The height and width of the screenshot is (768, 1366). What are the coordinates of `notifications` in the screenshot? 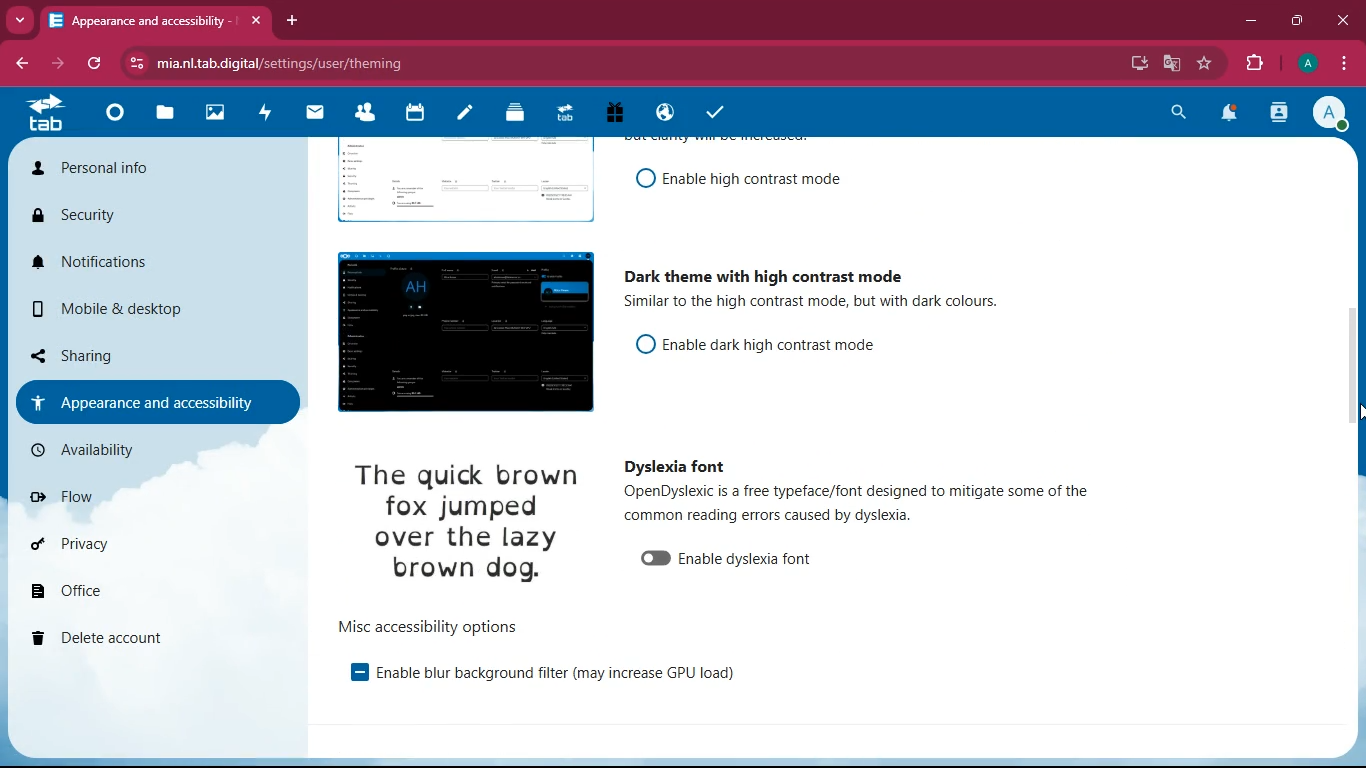 It's located at (1232, 114).